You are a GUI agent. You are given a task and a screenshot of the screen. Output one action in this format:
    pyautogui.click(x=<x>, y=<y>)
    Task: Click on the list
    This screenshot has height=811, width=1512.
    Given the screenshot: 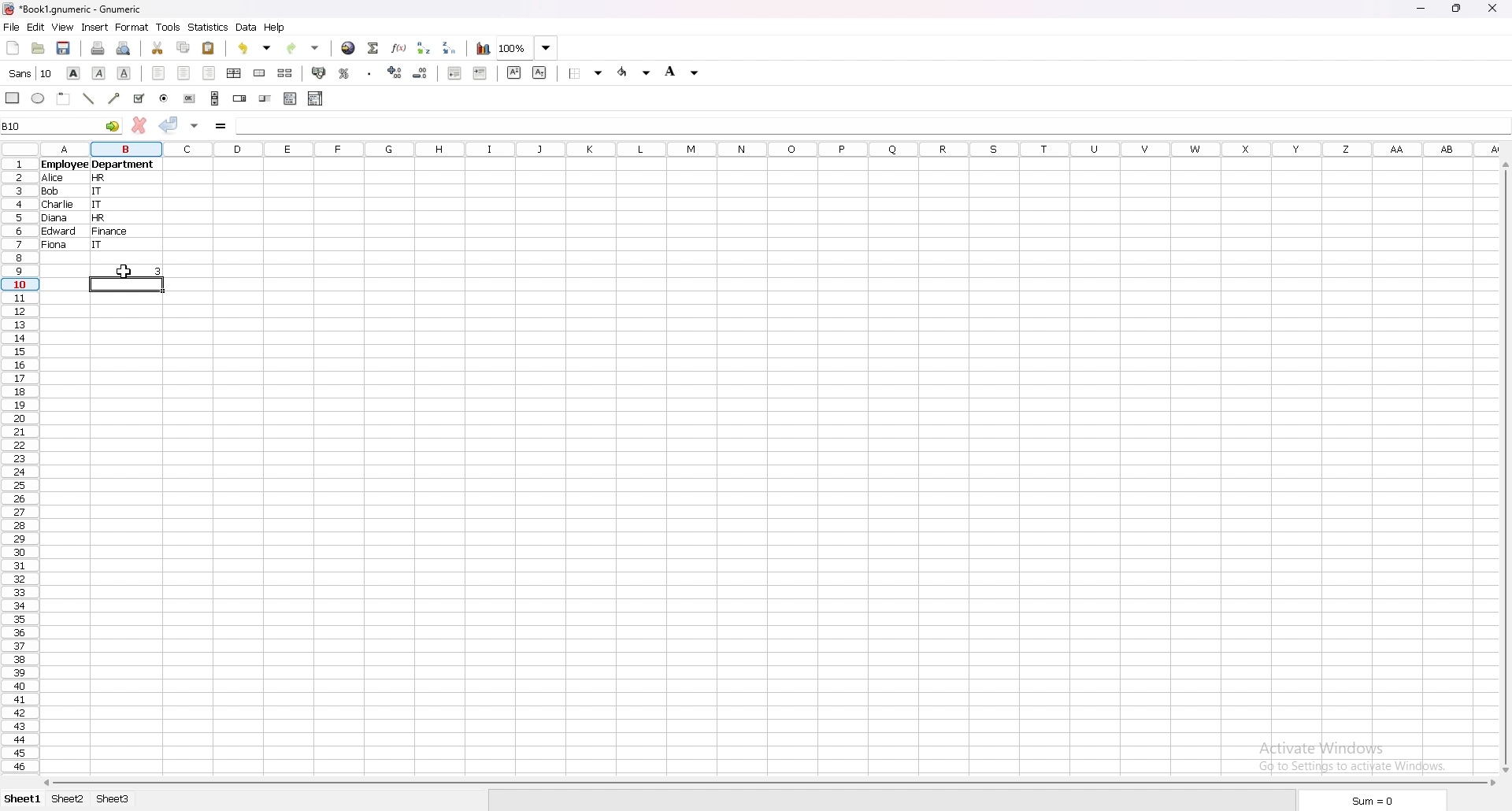 What is the action you would take?
    pyautogui.click(x=291, y=98)
    